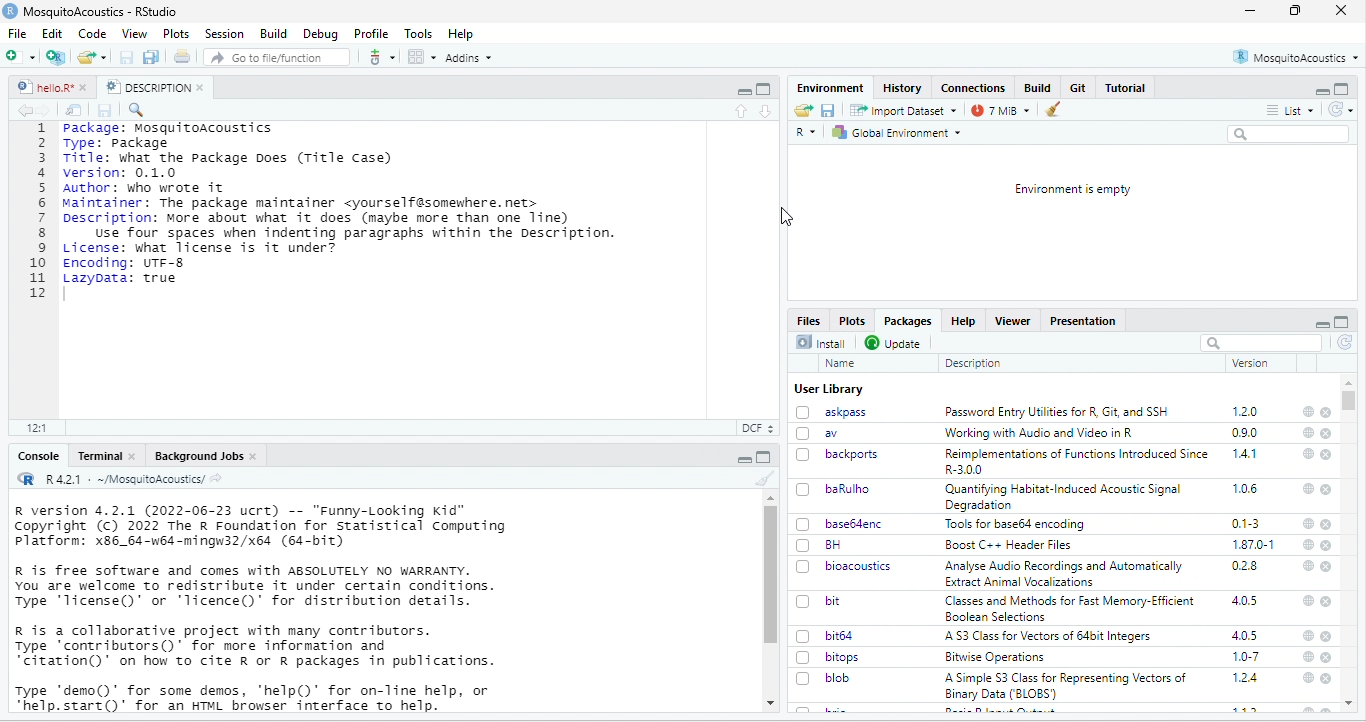  What do you see at coordinates (381, 56) in the screenshot?
I see `more options` at bounding box center [381, 56].